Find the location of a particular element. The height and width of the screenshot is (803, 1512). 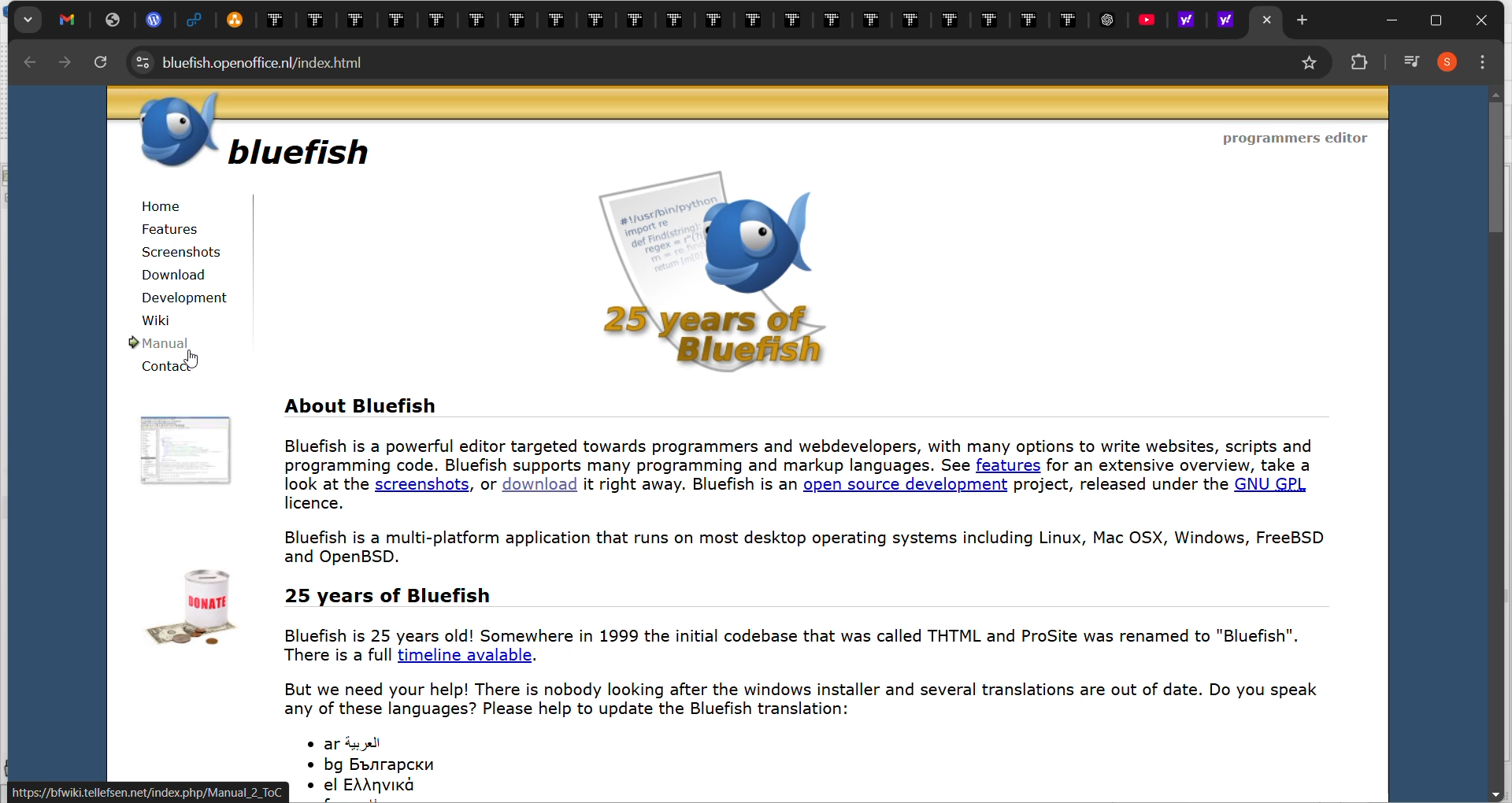

close is located at coordinates (1481, 22).